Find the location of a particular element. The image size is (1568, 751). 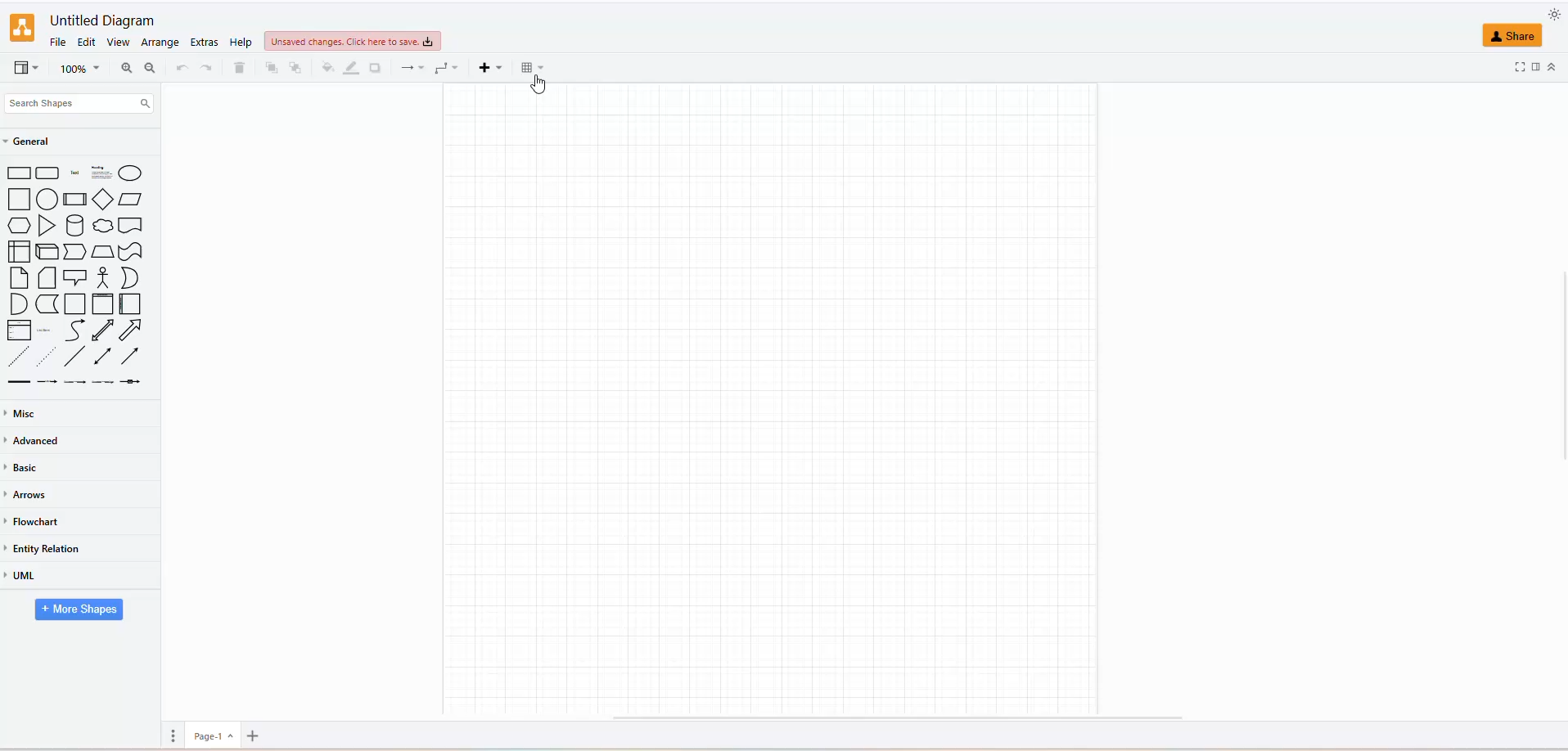

fill color is located at coordinates (330, 66).